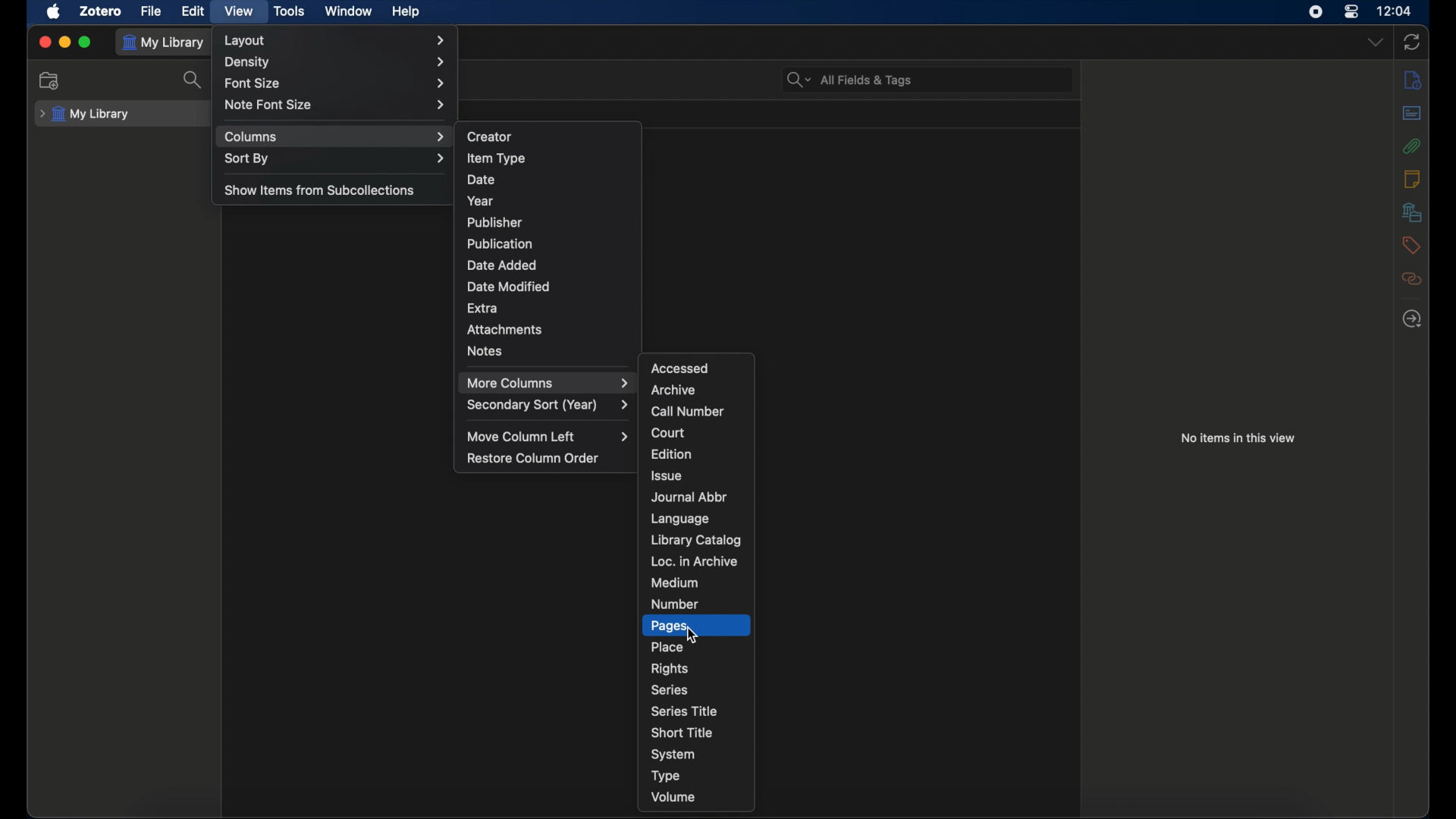 Image resolution: width=1456 pixels, height=819 pixels. What do you see at coordinates (483, 180) in the screenshot?
I see `date` at bounding box center [483, 180].